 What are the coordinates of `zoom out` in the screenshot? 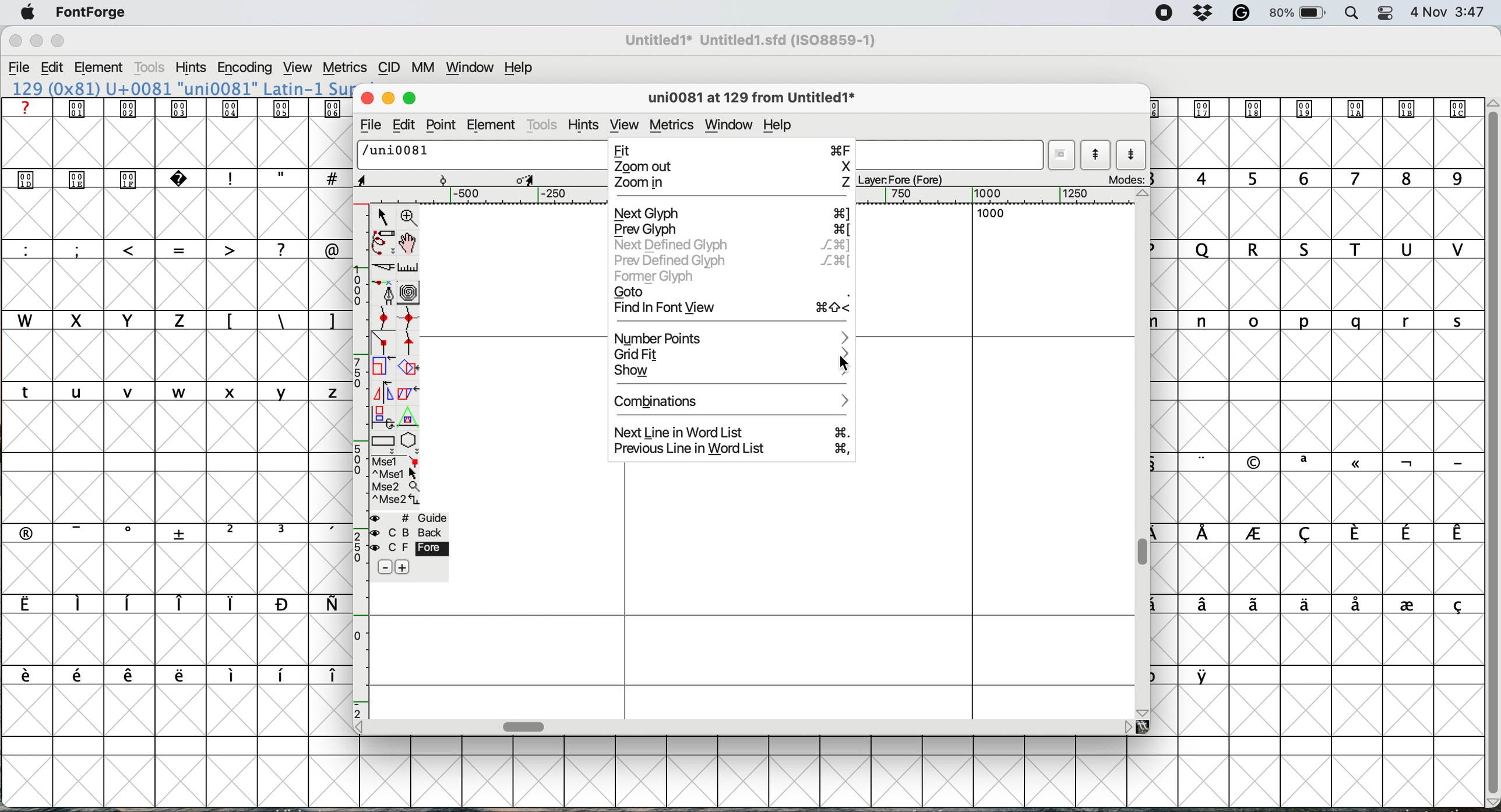 It's located at (730, 167).